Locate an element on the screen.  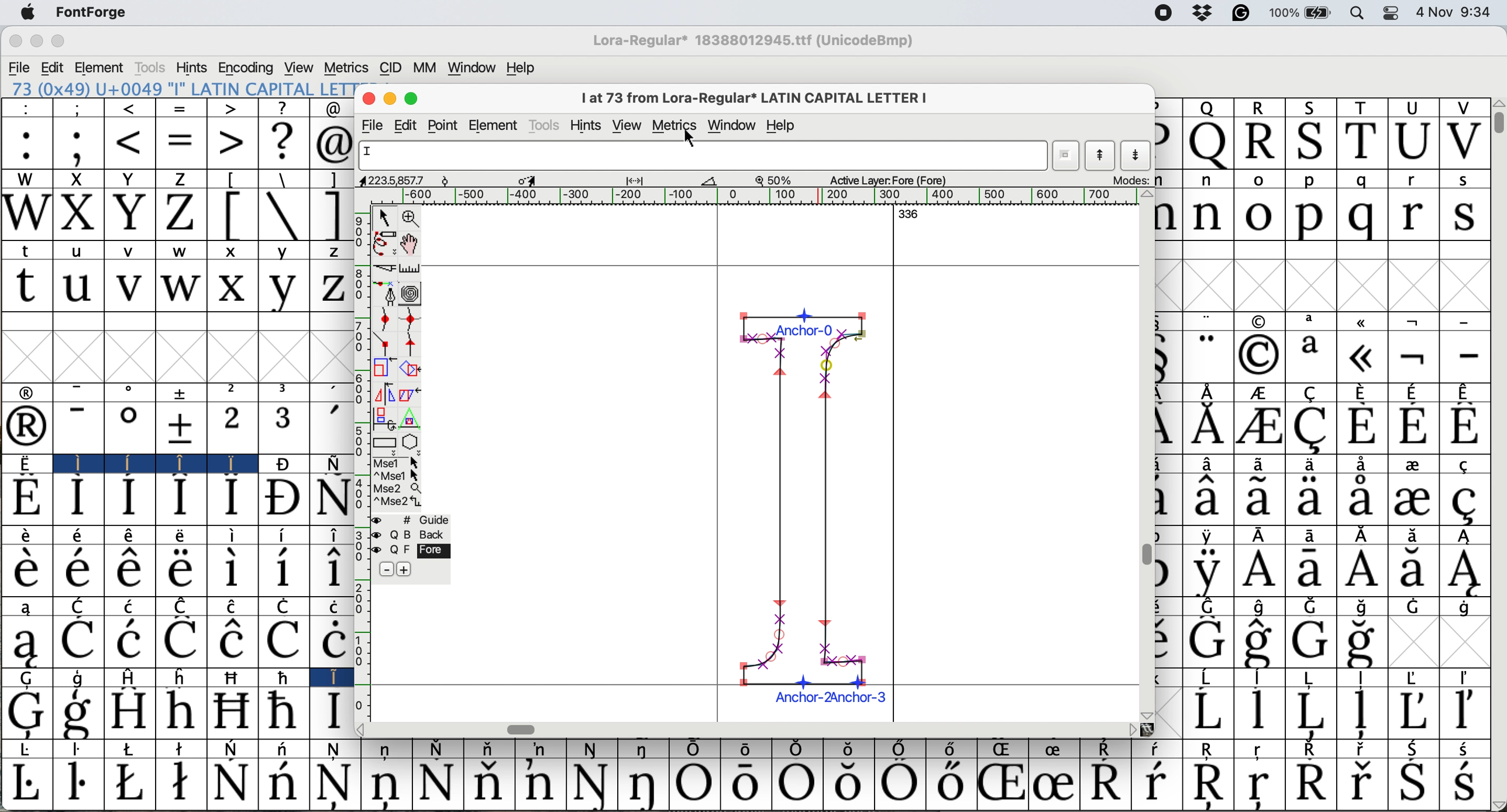
Symbol is located at coordinates (1361, 783).